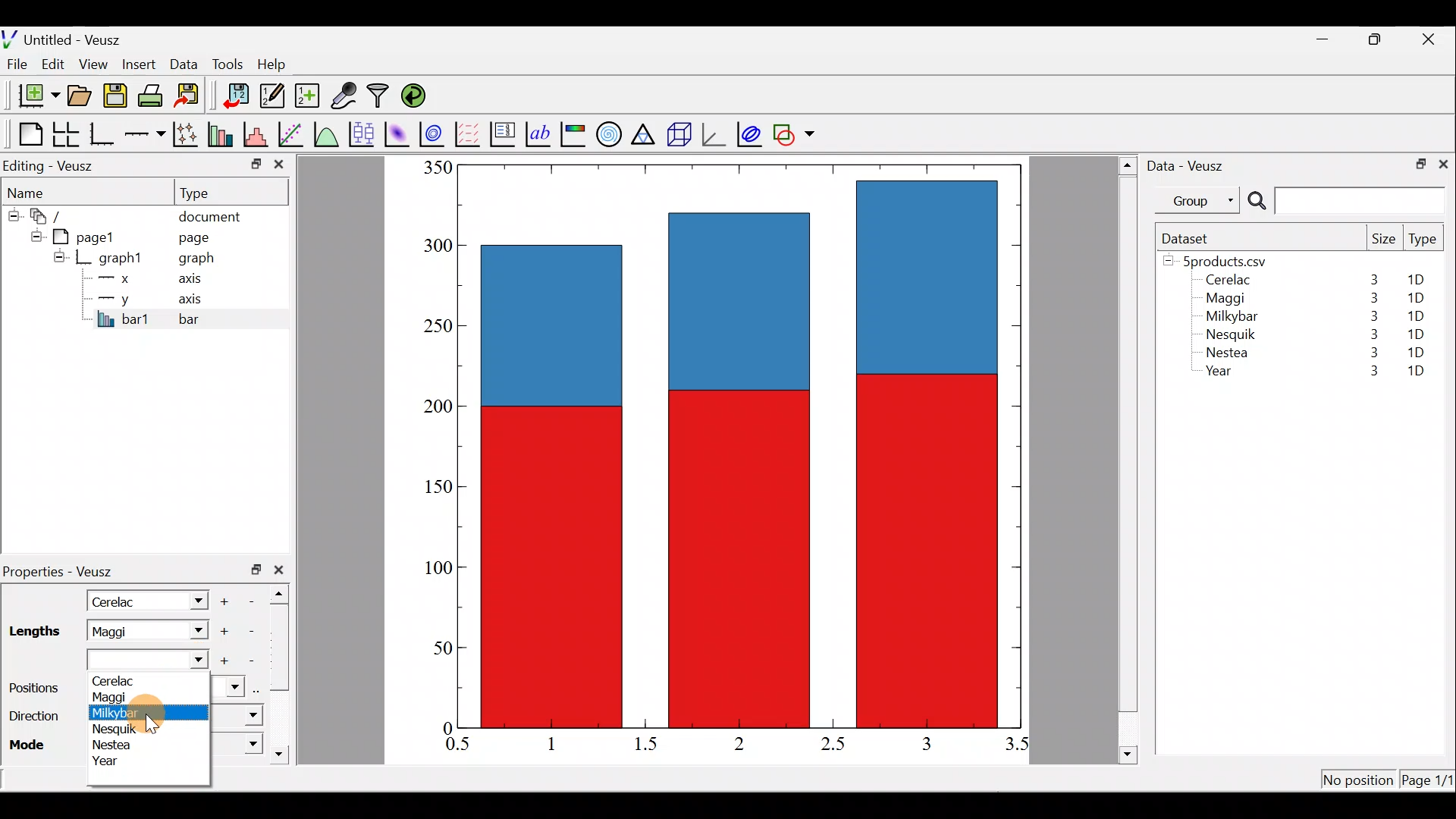  What do you see at coordinates (209, 214) in the screenshot?
I see `document` at bounding box center [209, 214].